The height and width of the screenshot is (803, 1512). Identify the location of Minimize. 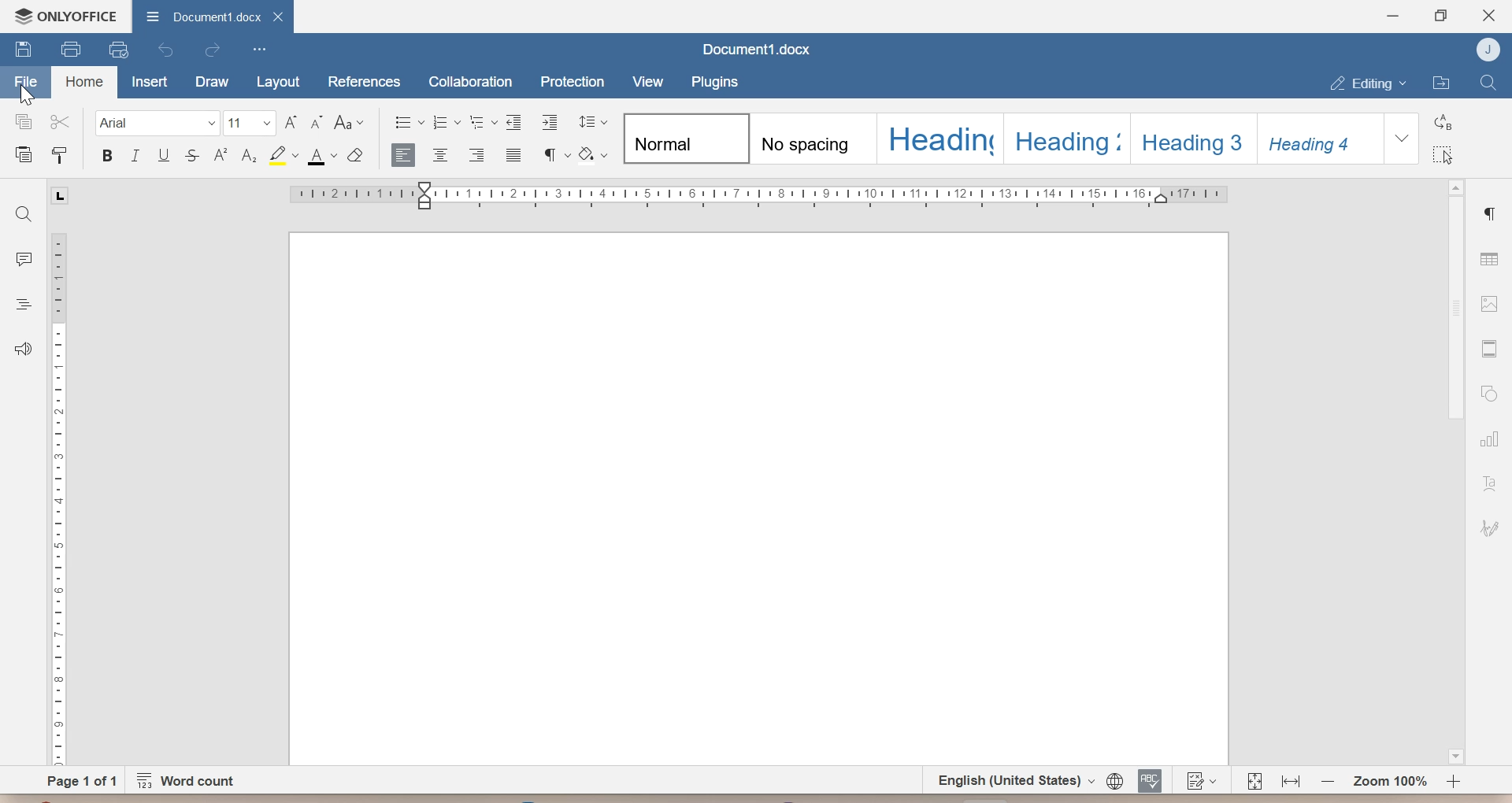
(1392, 16).